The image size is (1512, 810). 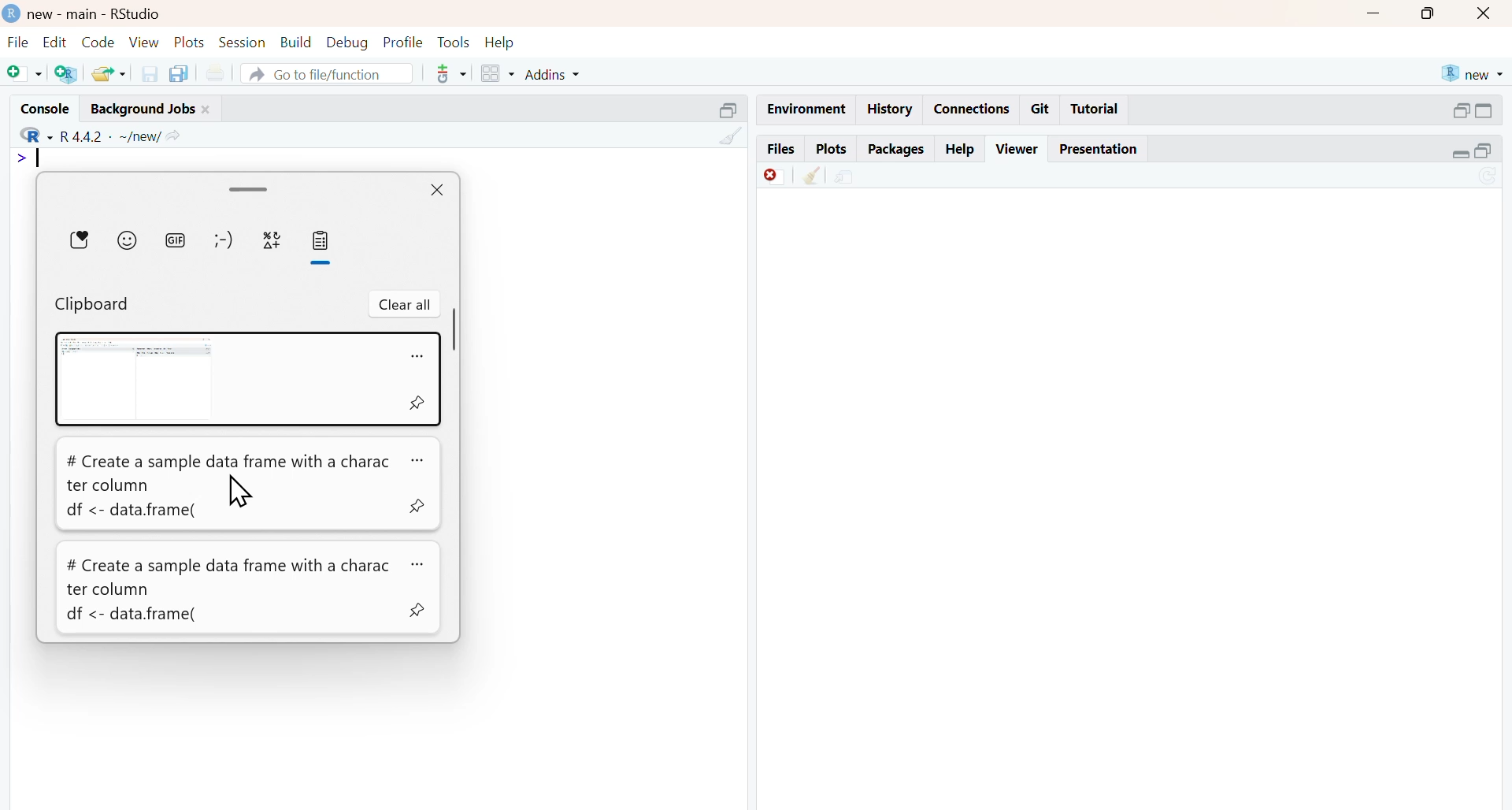 What do you see at coordinates (403, 305) in the screenshot?
I see `clear all` at bounding box center [403, 305].